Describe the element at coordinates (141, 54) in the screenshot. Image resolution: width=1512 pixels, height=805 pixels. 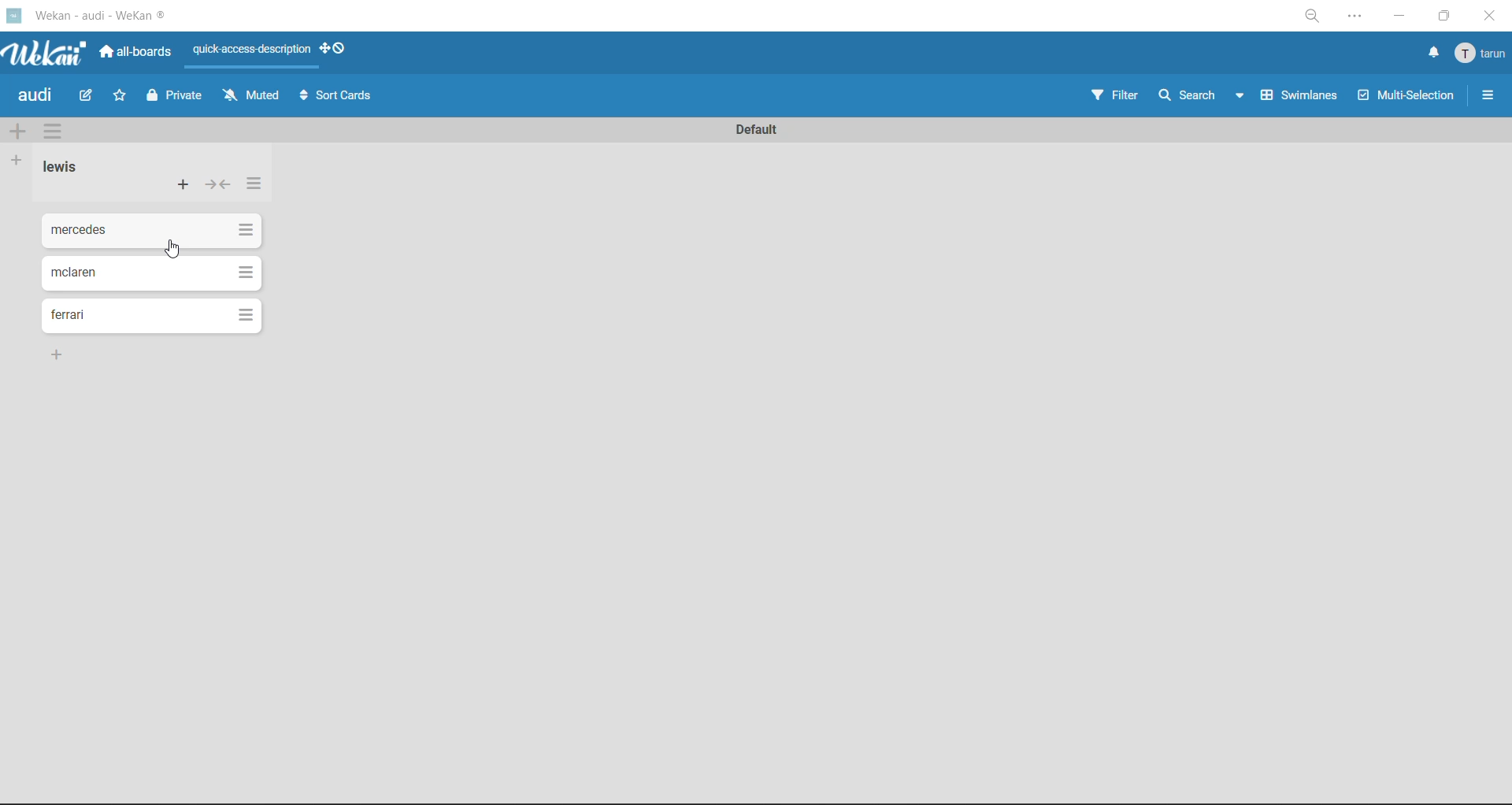
I see `all boards` at that location.